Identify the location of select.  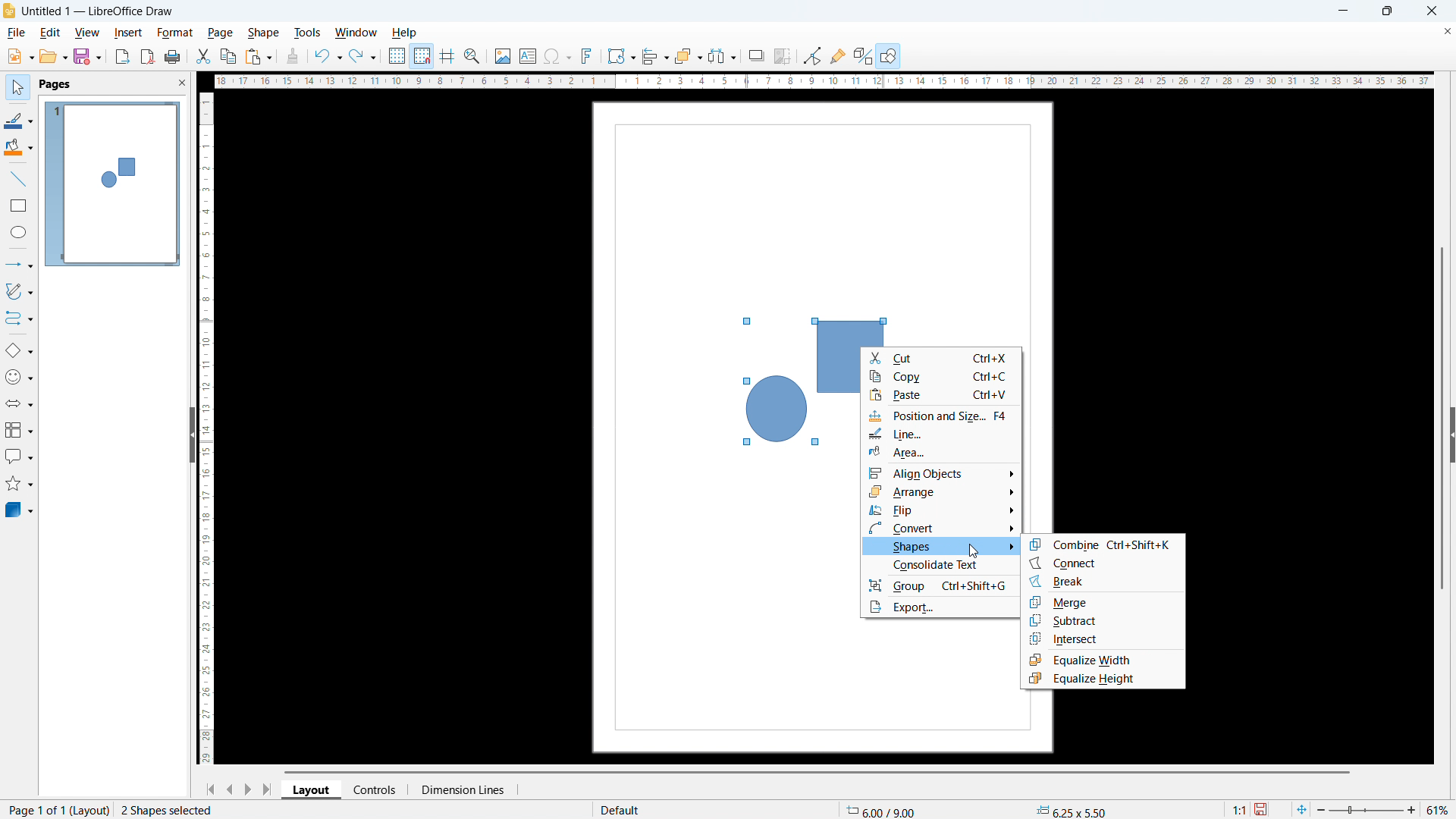
(17, 88).